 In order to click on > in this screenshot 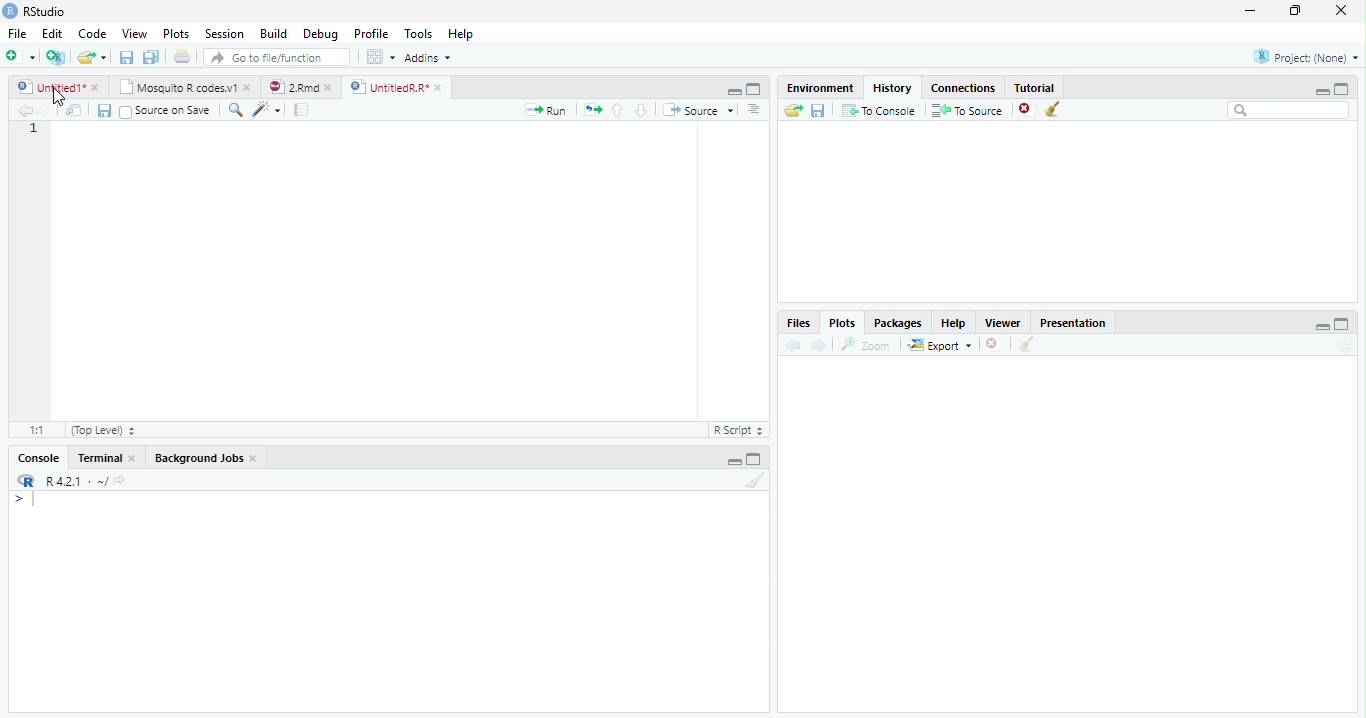, I will do `click(14, 500)`.